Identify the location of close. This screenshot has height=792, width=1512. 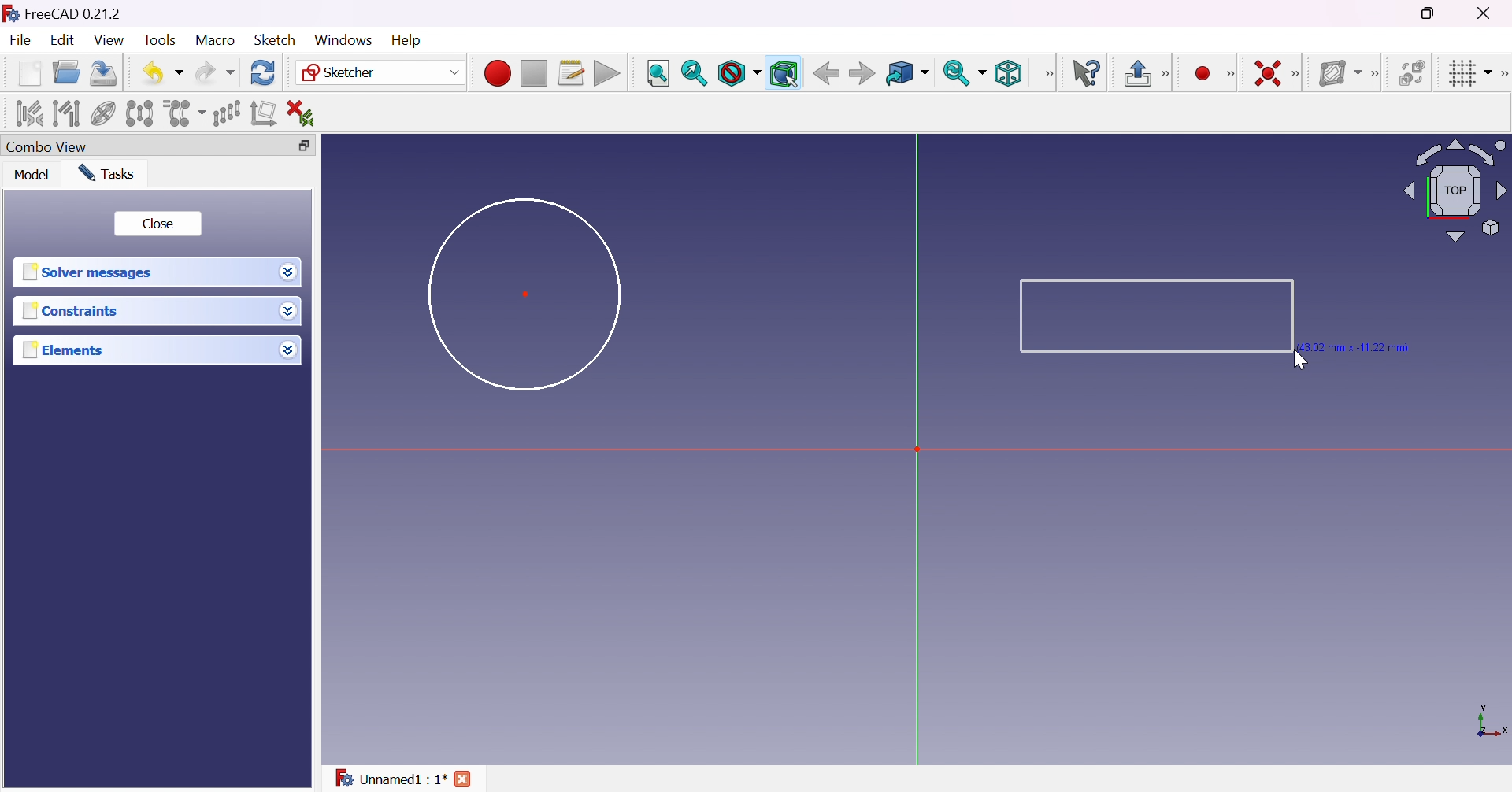
(465, 779).